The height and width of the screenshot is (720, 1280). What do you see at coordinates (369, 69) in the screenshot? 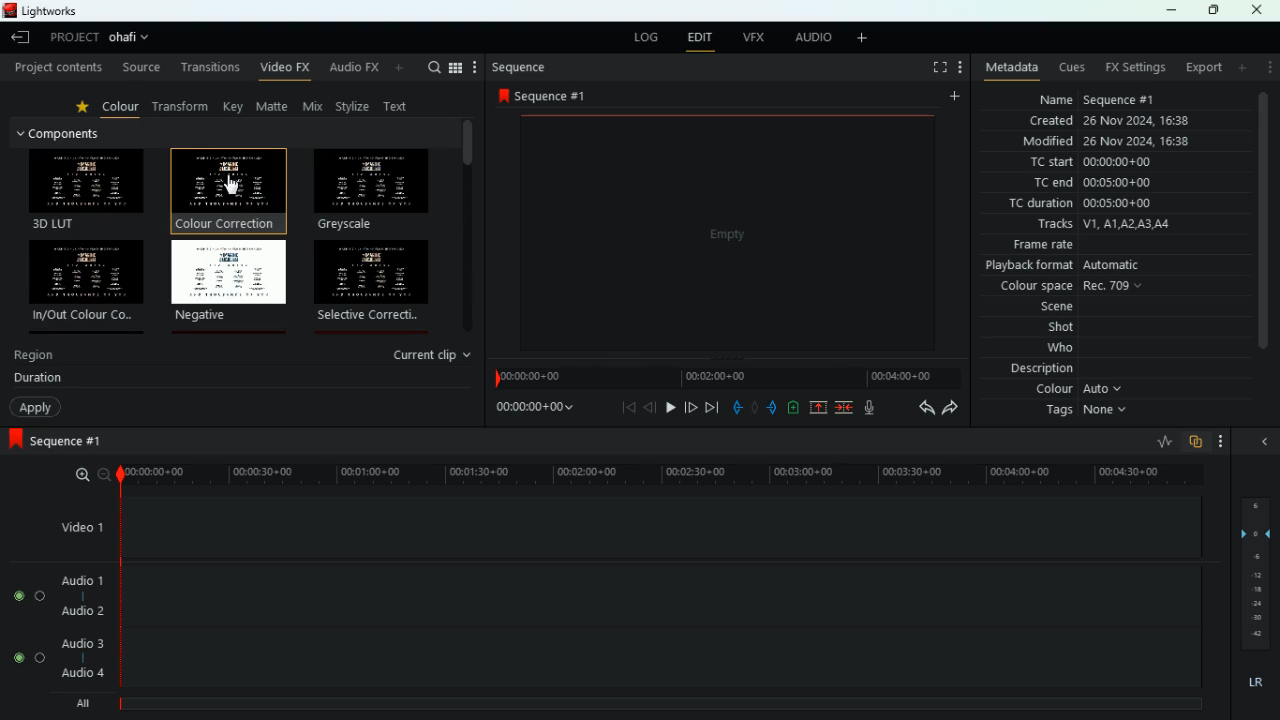
I see `audio fx` at bounding box center [369, 69].